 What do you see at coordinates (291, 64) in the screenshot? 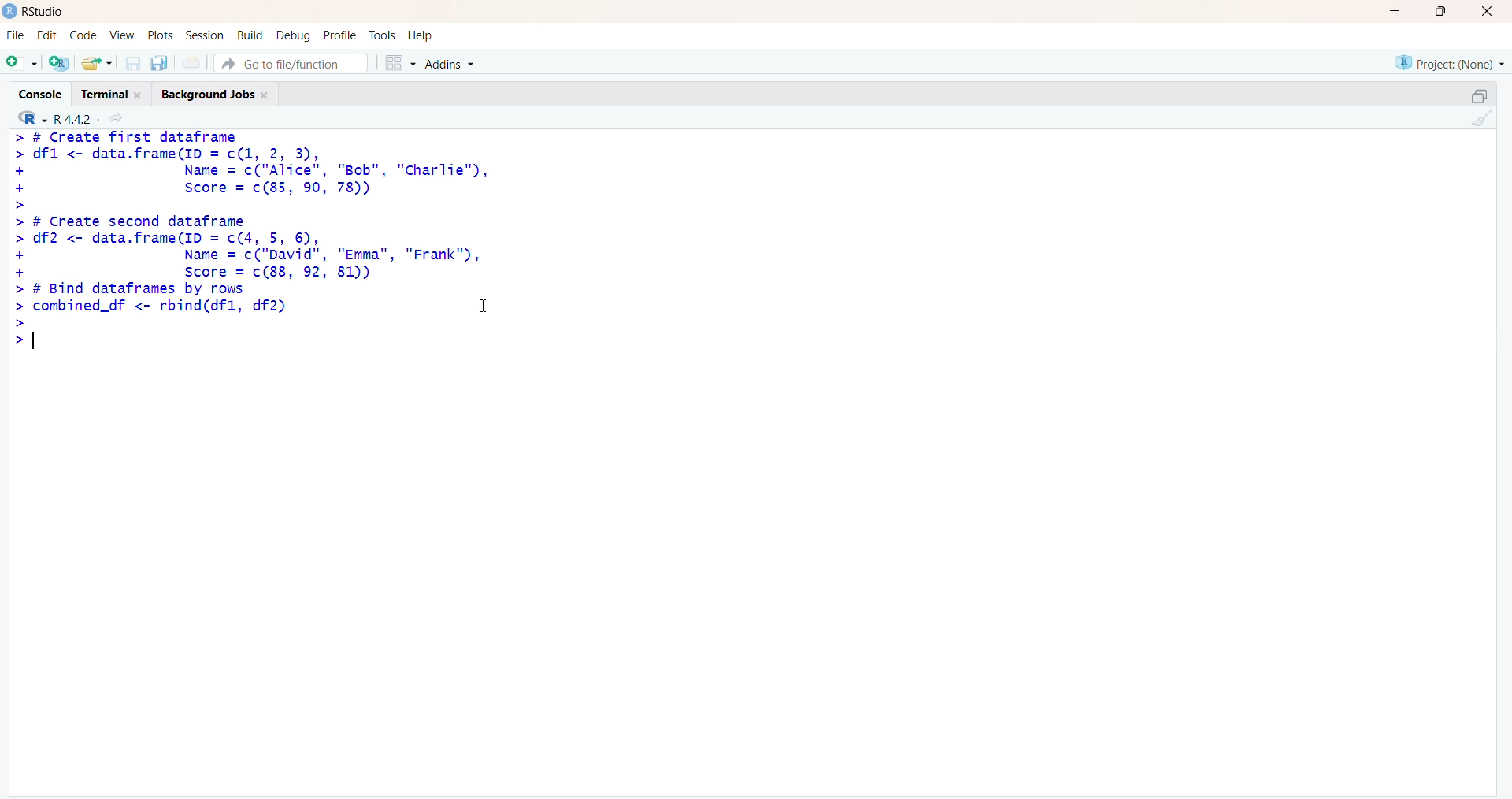
I see ` Go to file/function` at bounding box center [291, 64].